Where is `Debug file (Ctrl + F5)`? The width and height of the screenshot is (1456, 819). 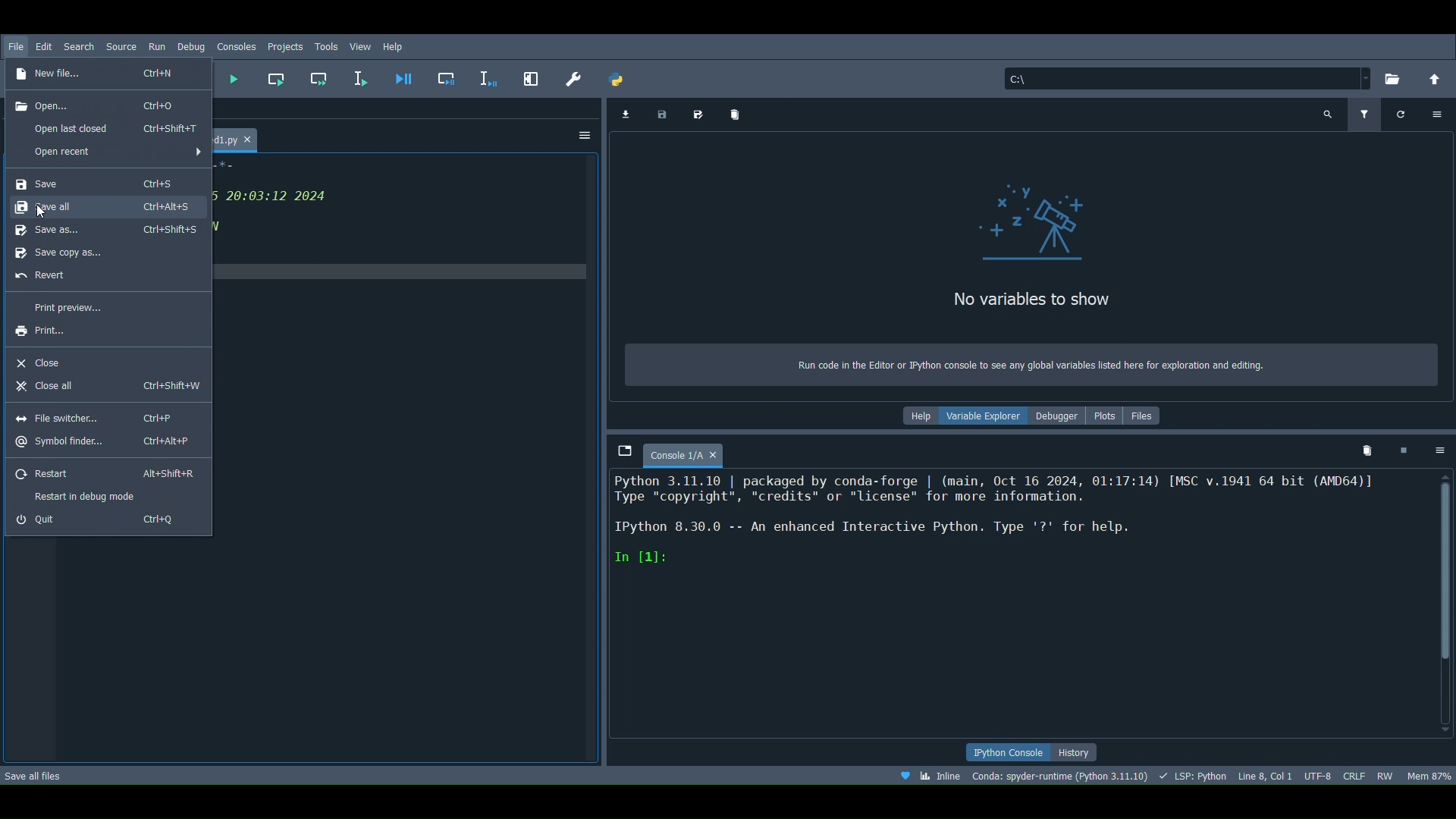
Debug file (Ctrl + F5) is located at coordinates (403, 76).